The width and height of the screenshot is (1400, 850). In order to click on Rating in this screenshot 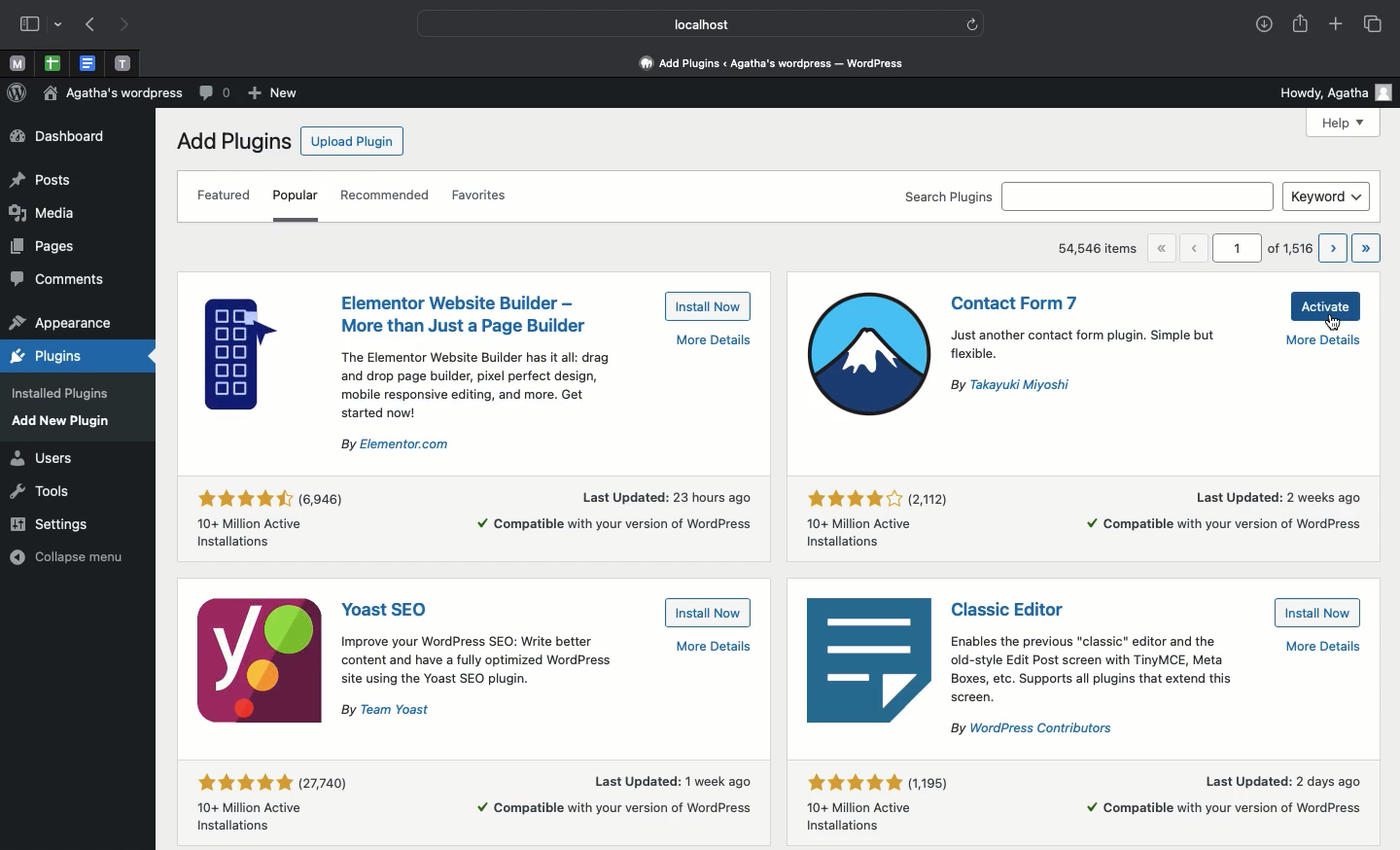, I will do `click(270, 806)`.